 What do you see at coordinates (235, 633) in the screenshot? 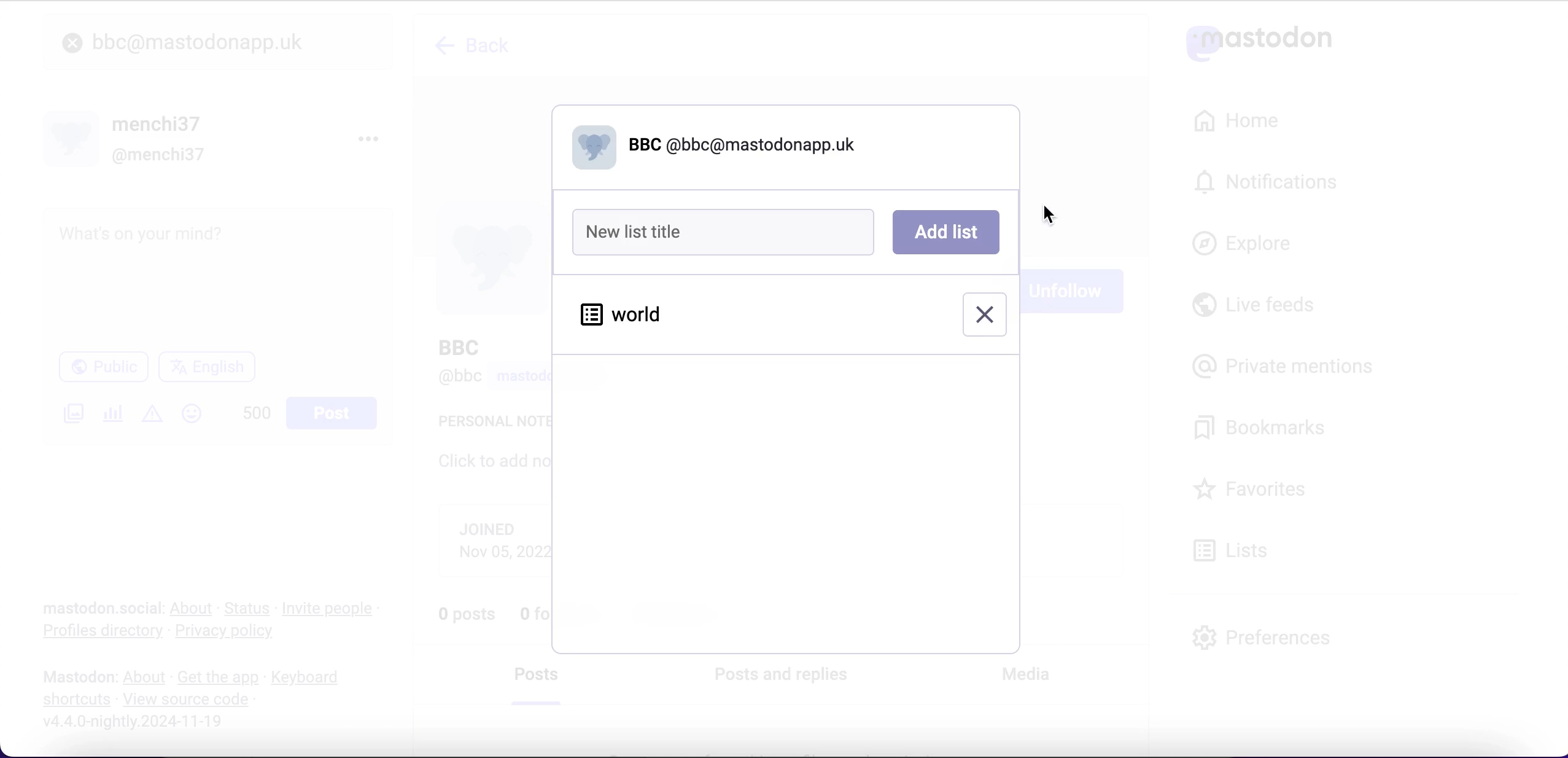
I see `privacy policy` at bounding box center [235, 633].